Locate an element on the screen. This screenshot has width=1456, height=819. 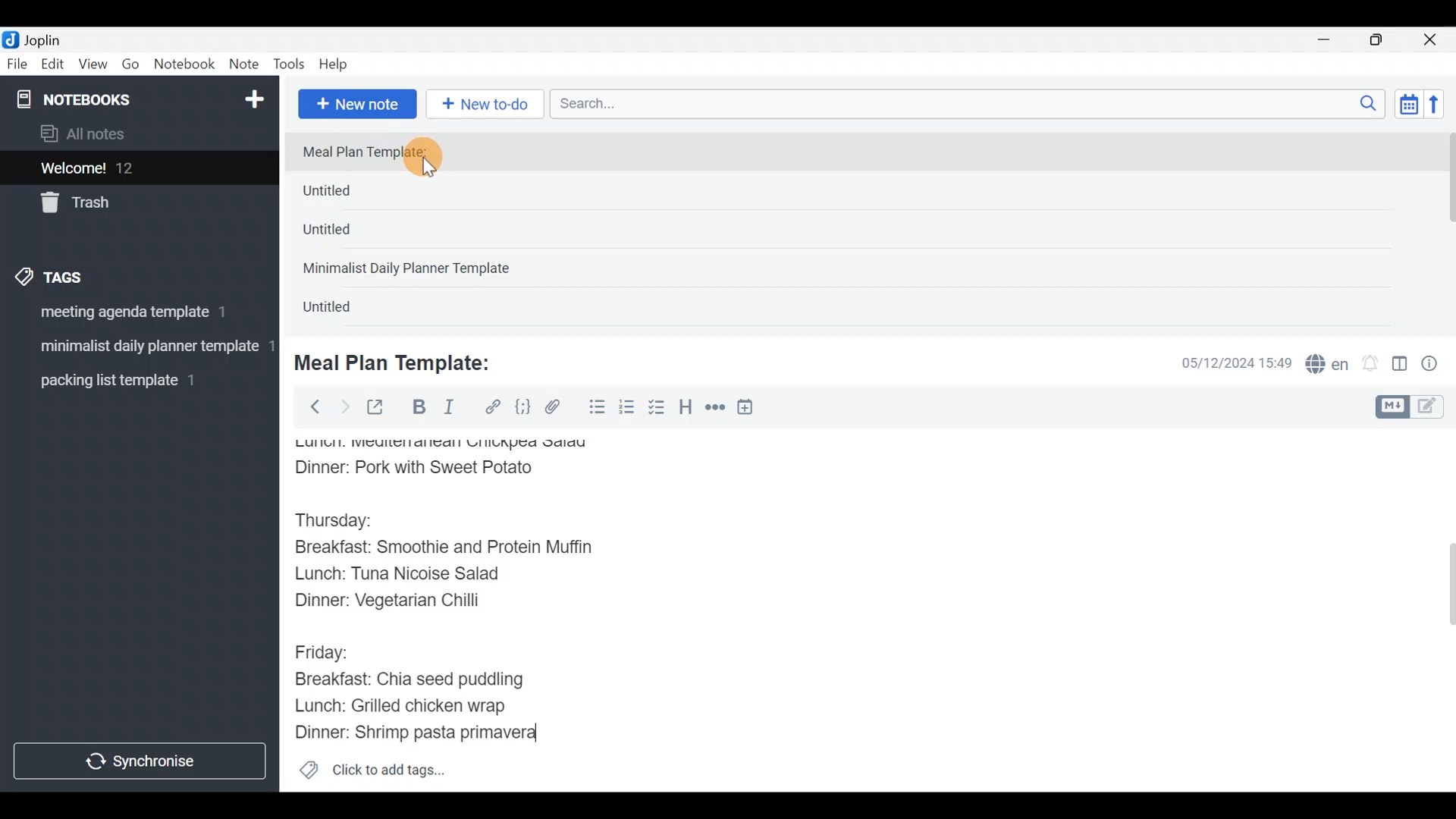
Notebooks is located at coordinates (107, 99).